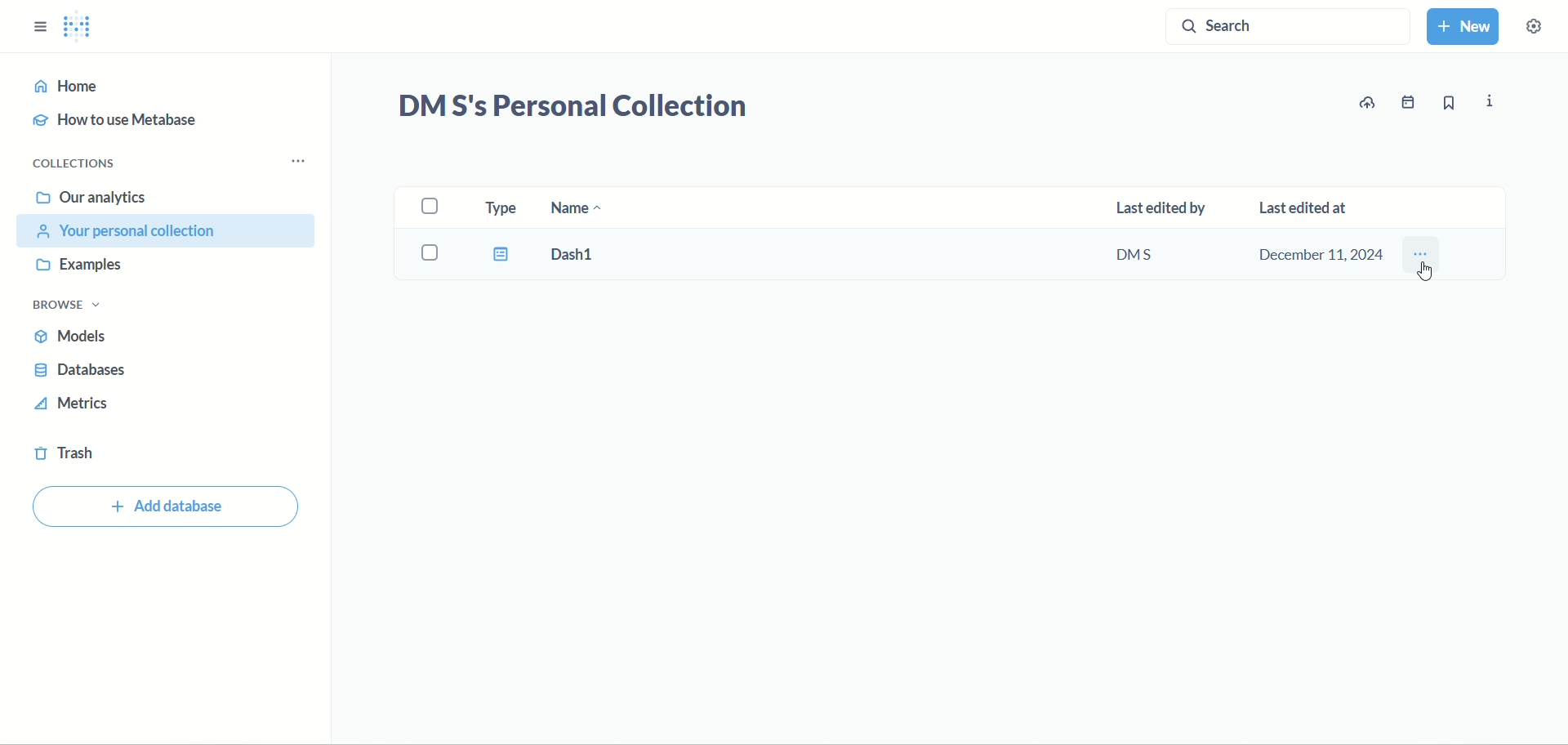 Image resolution: width=1568 pixels, height=745 pixels. I want to click on type, so click(498, 205).